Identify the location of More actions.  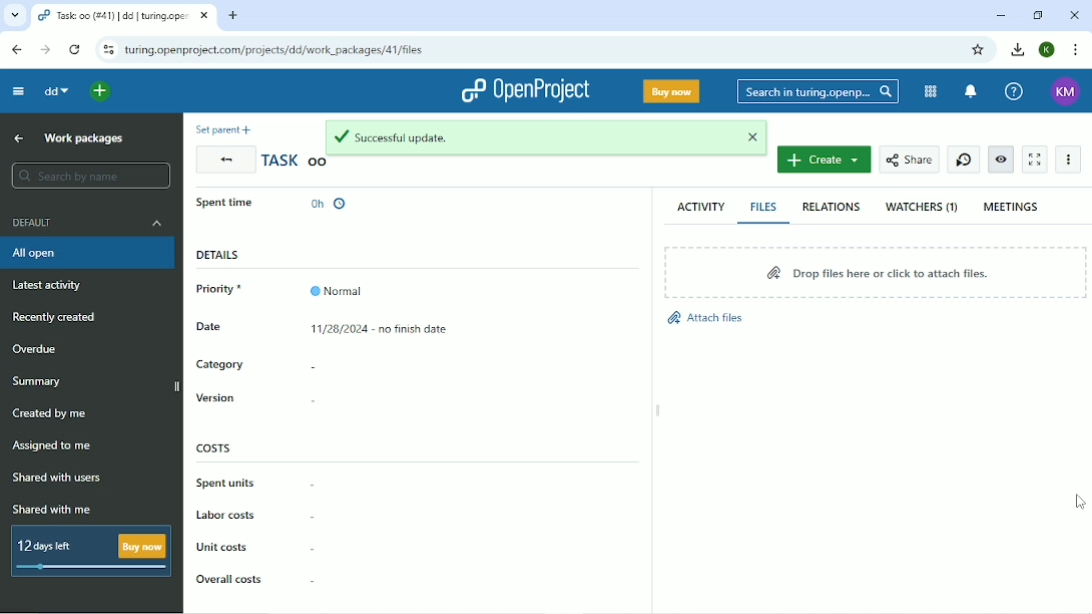
(1067, 159).